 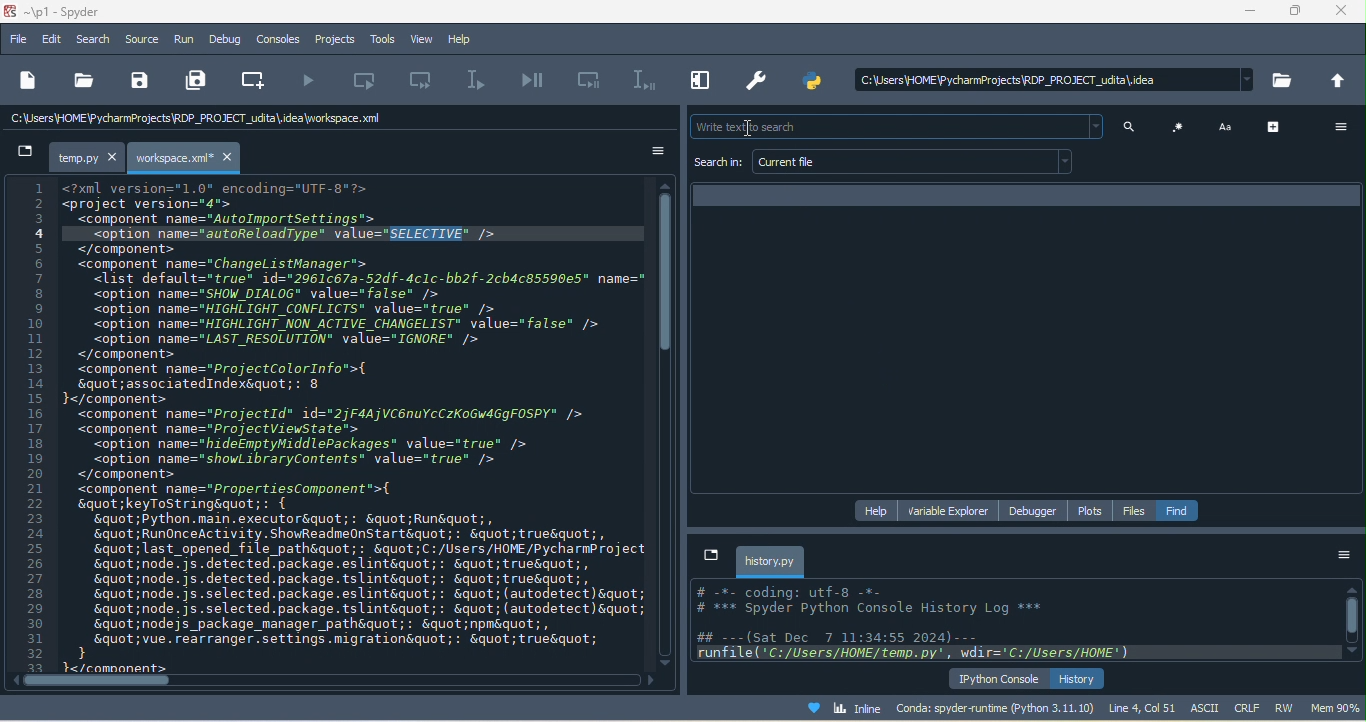 What do you see at coordinates (1079, 678) in the screenshot?
I see `history` at bounding box center [1079, 678].